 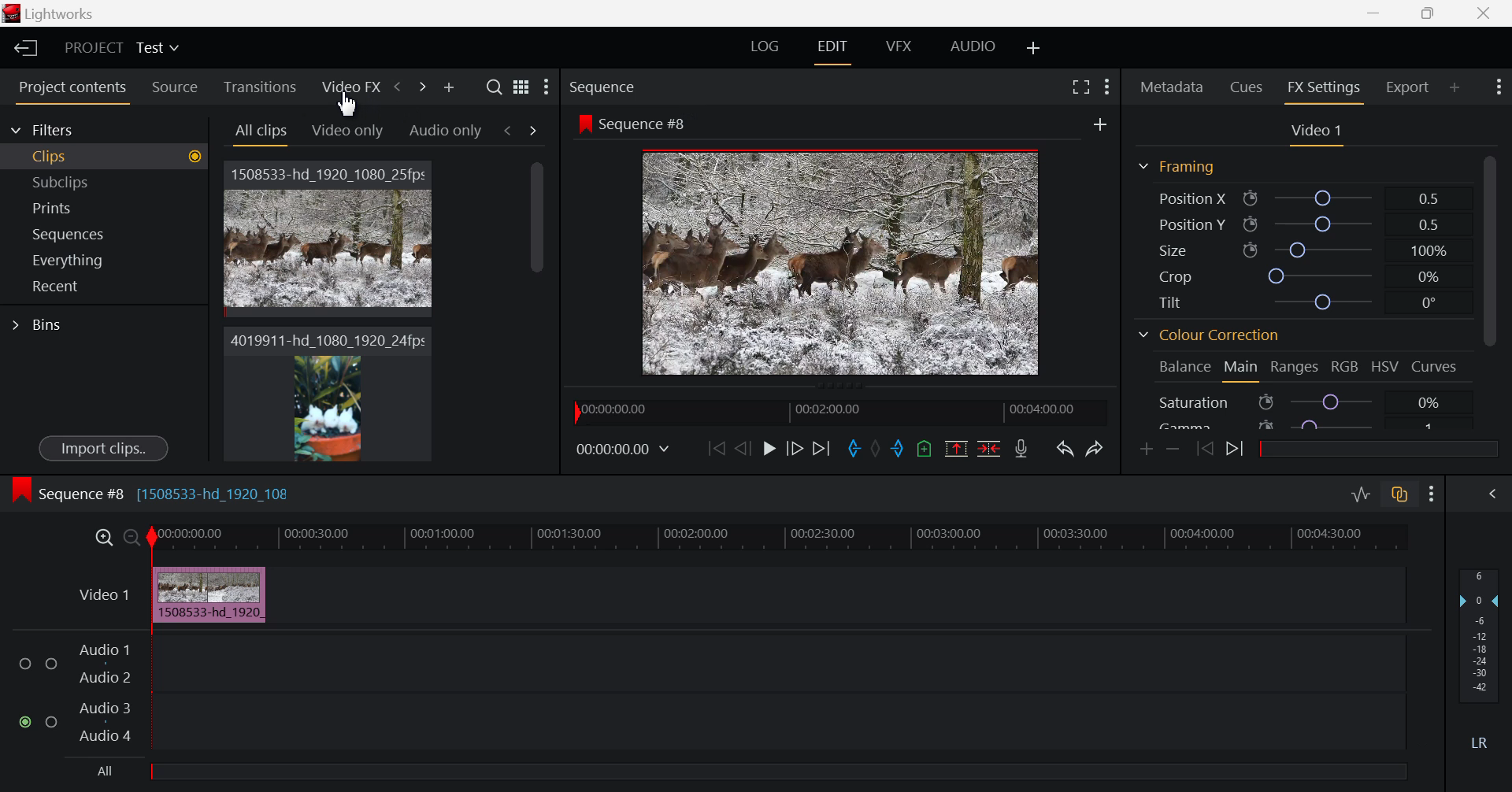 What do you see at coordinates (1210, 335) in the screenshot?
I see `Colour Correction Section` at bounding box center [1210, 335].